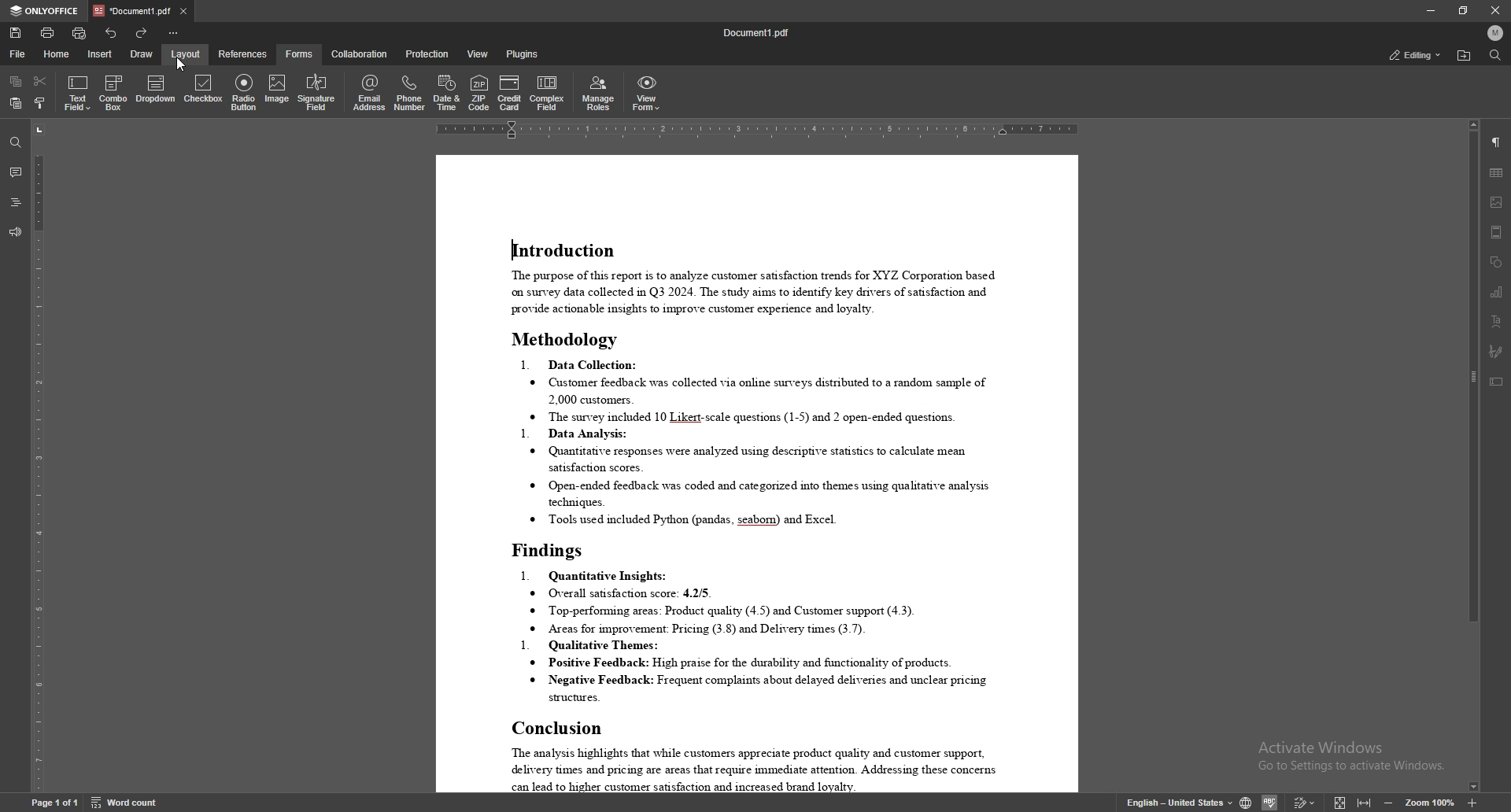 This screenshot has width=1511, height=812. Describe the element at coordinates (1497, 322) in the screenshot. I see `text art` at that location.